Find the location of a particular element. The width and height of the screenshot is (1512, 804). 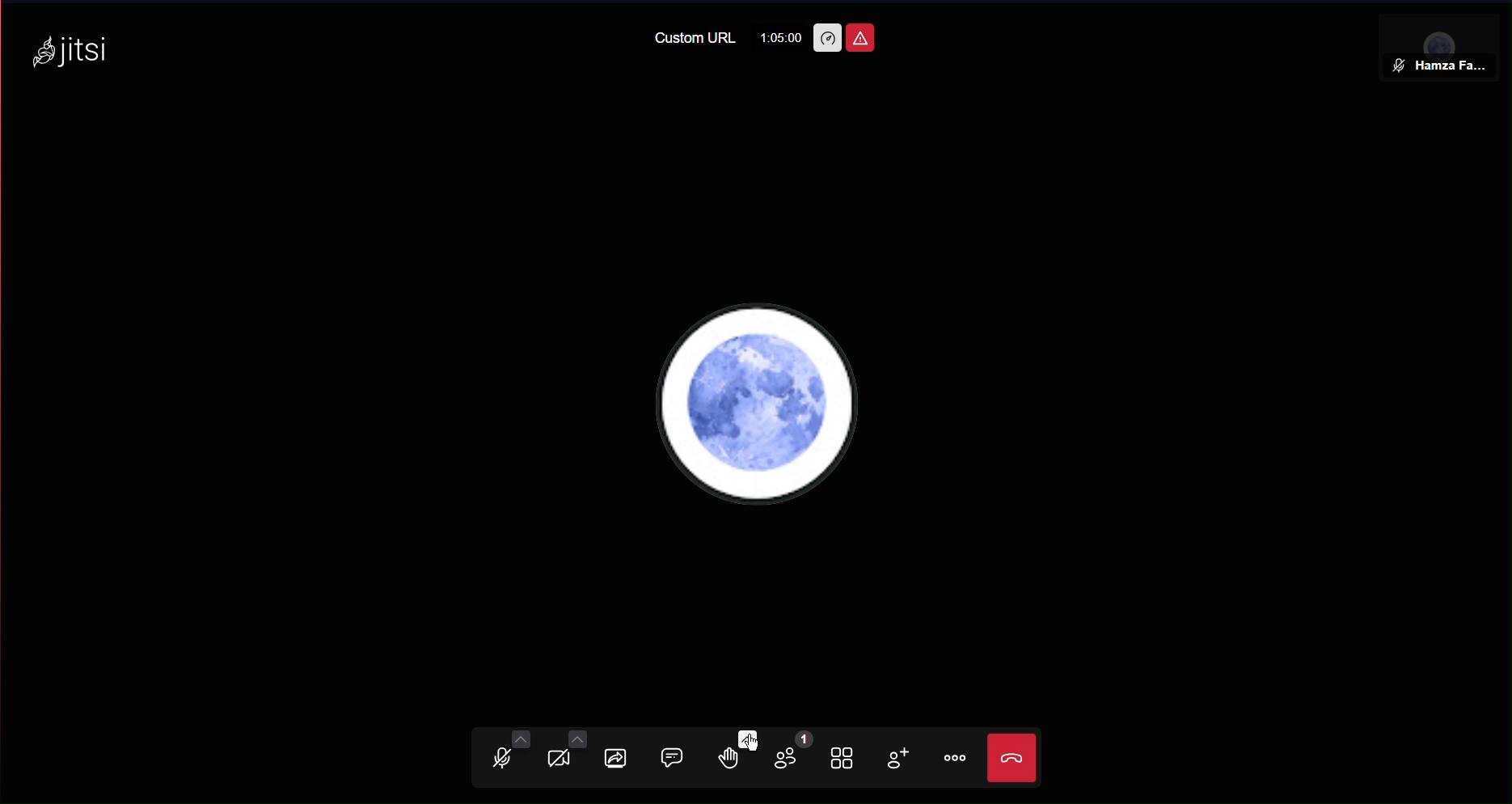

Add Participant is located at coordinates (894, 761).